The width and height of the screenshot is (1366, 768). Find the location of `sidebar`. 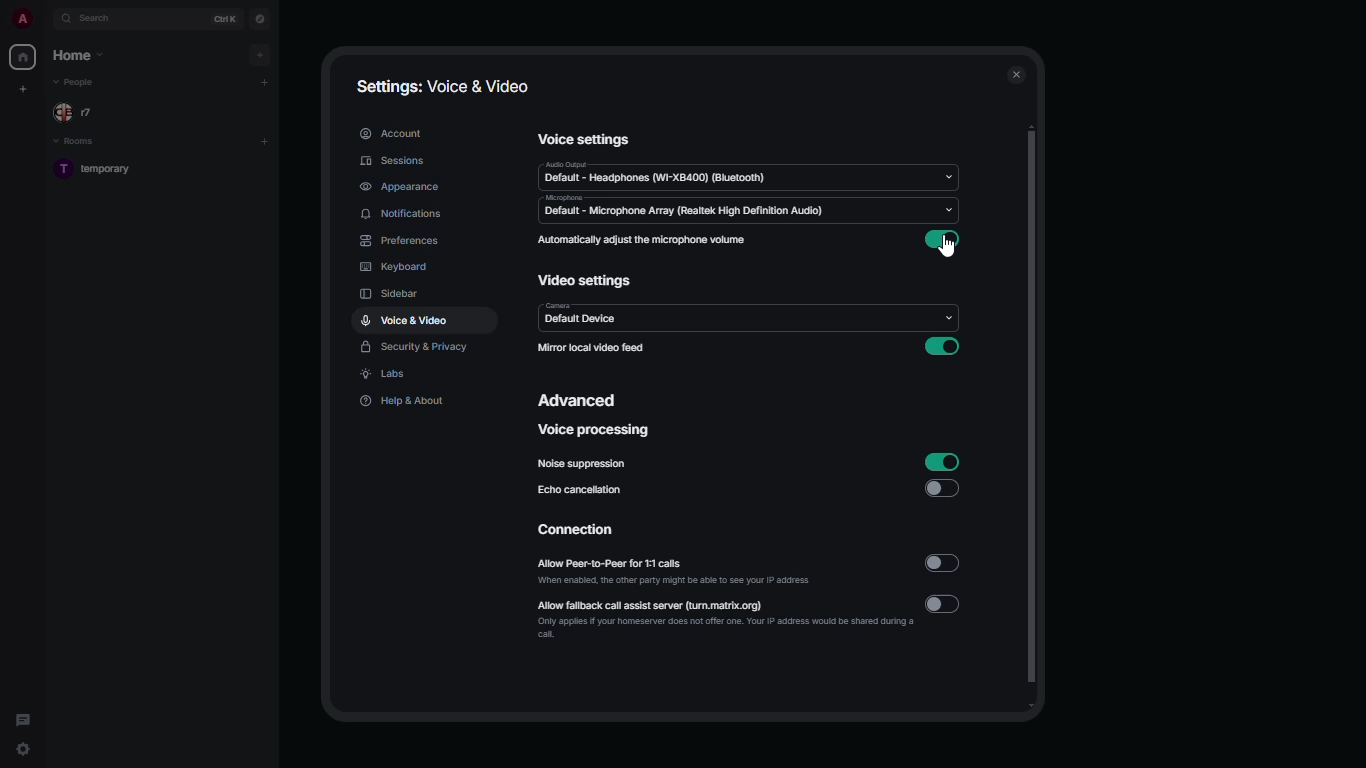

sidebar is located at coordinates (396, 293).